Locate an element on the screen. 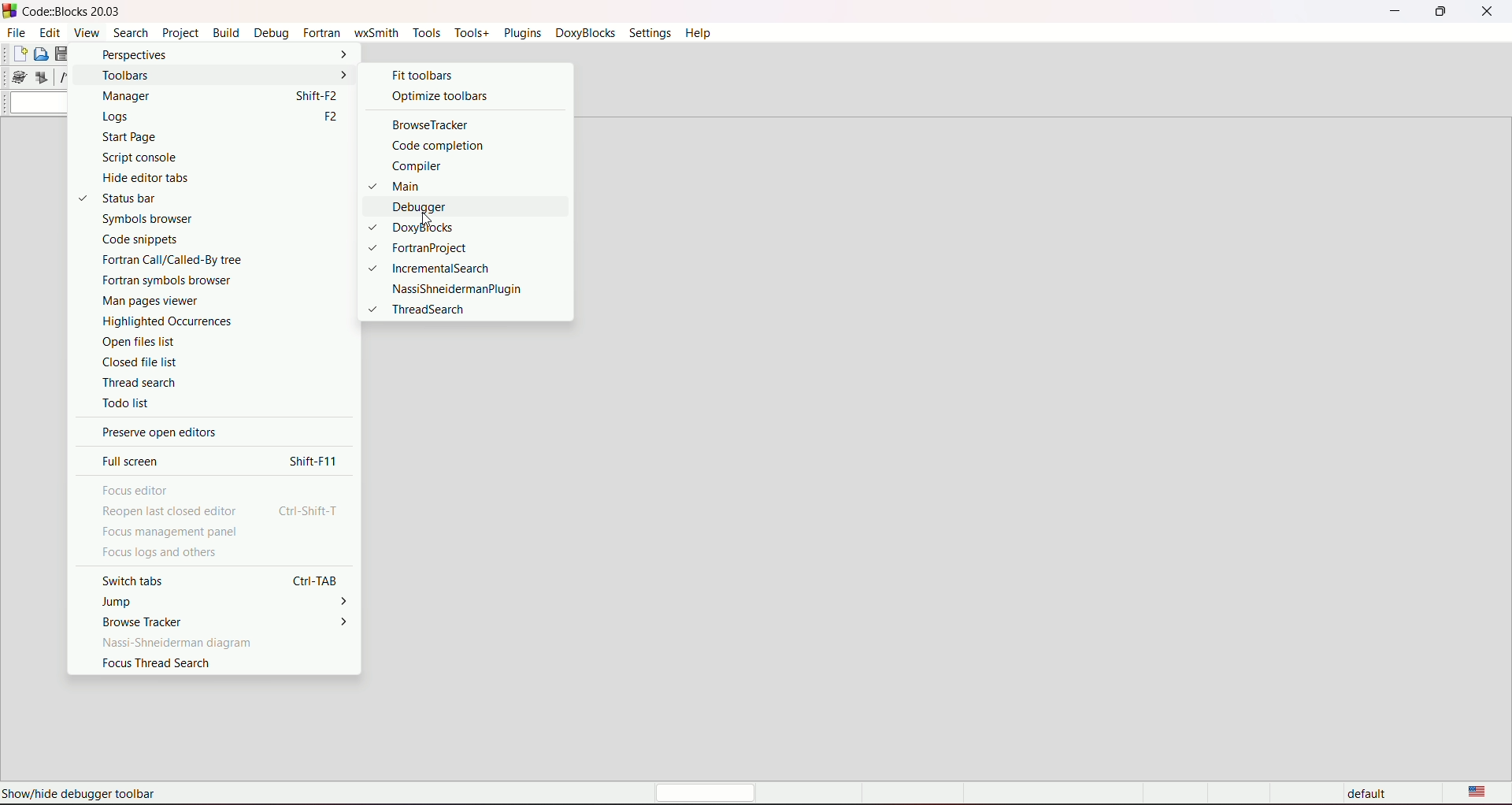 The height and width of the screenshot is (805, 1512). minimize is located at coordinates (1395, 10).